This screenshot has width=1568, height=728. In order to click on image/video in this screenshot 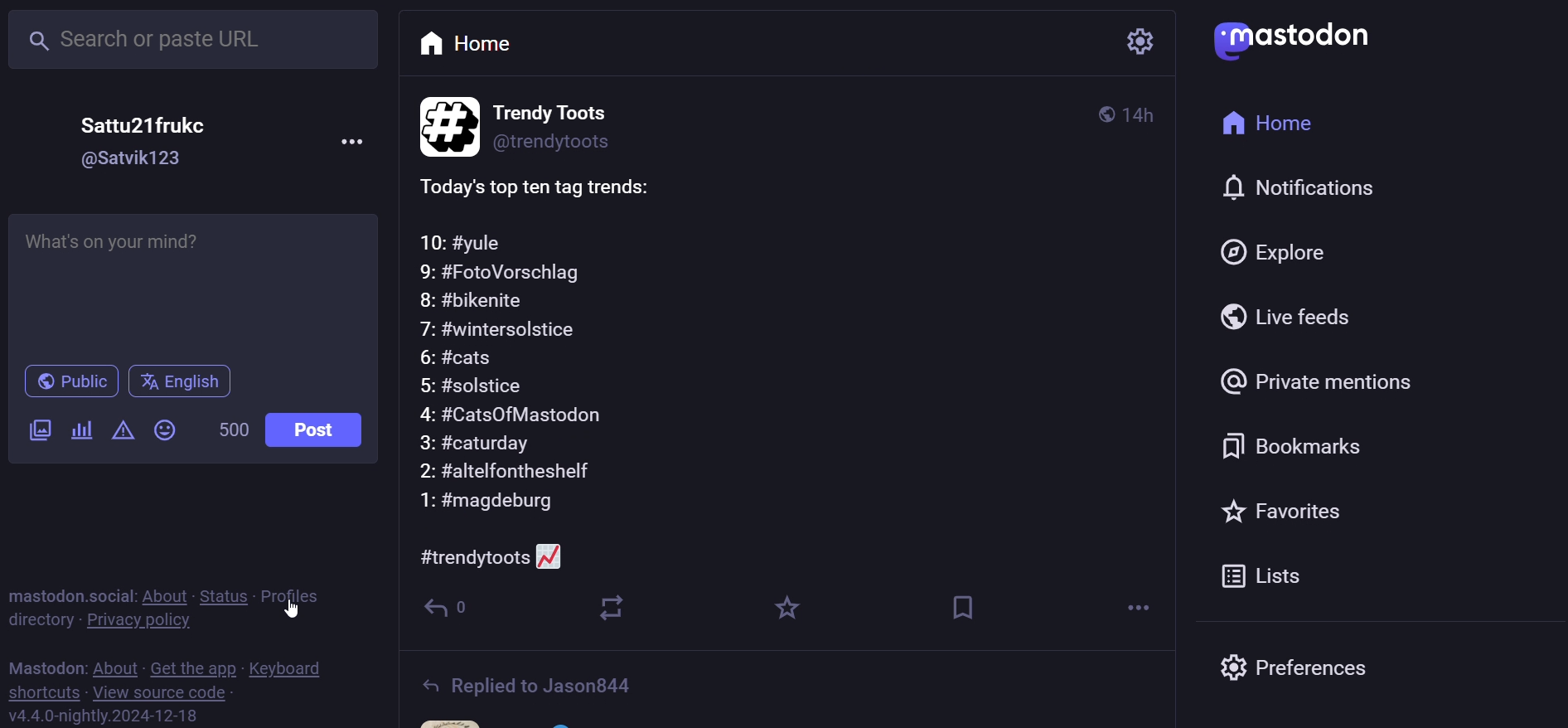, I will do `click(38, 429)`.